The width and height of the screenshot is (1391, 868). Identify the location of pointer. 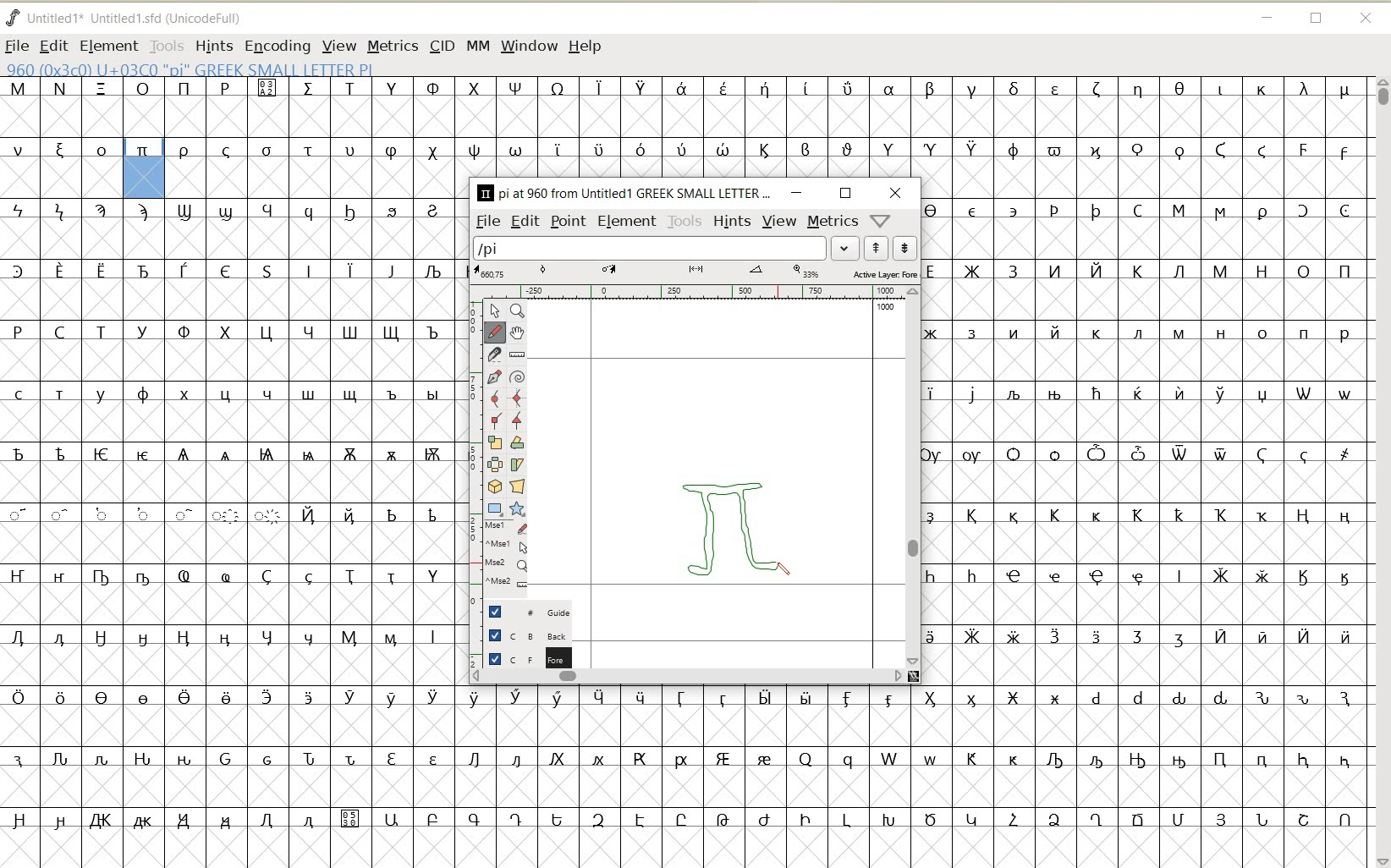
(494, 310).